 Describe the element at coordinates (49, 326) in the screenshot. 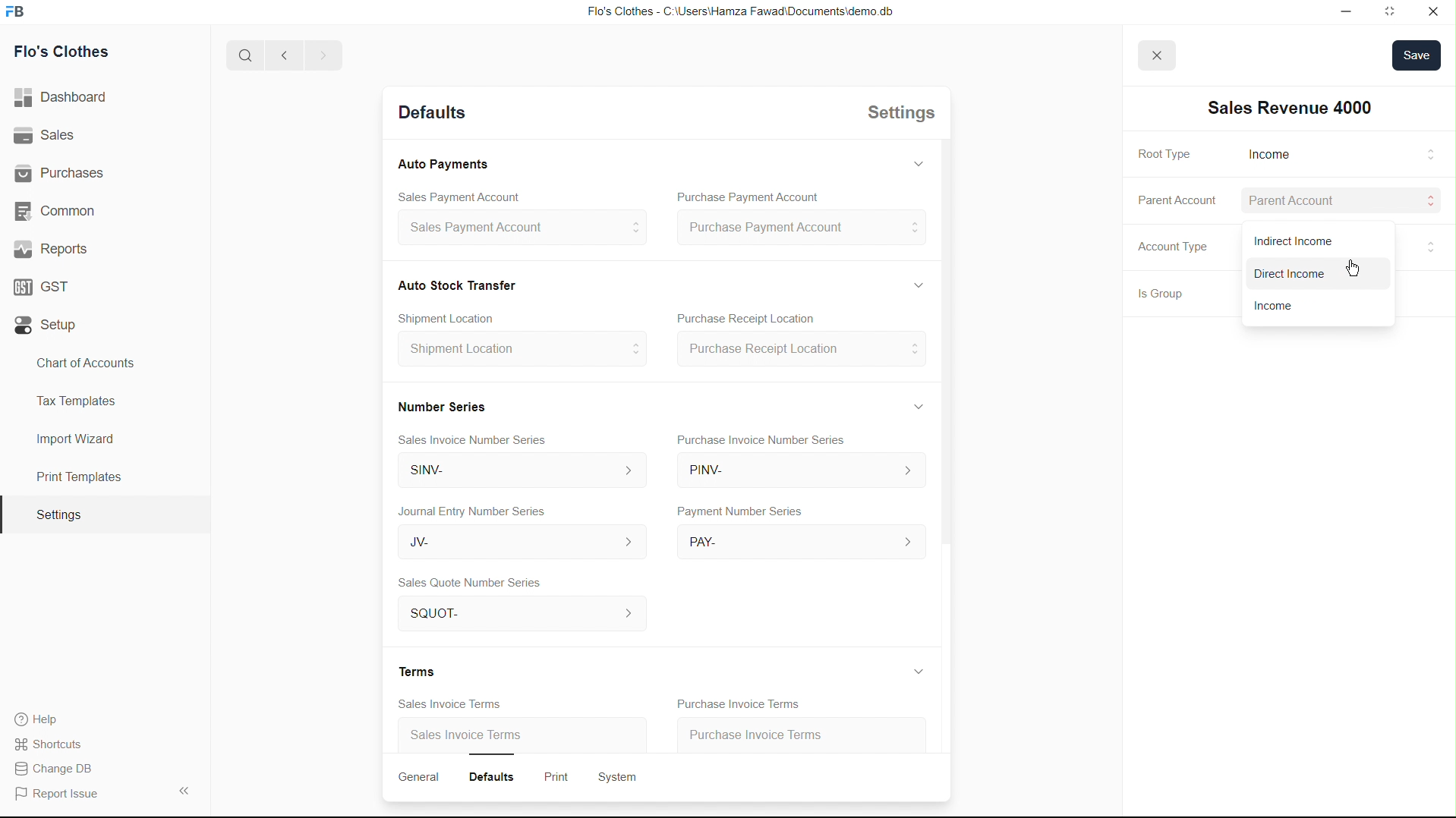

I see `Setup` at that location.